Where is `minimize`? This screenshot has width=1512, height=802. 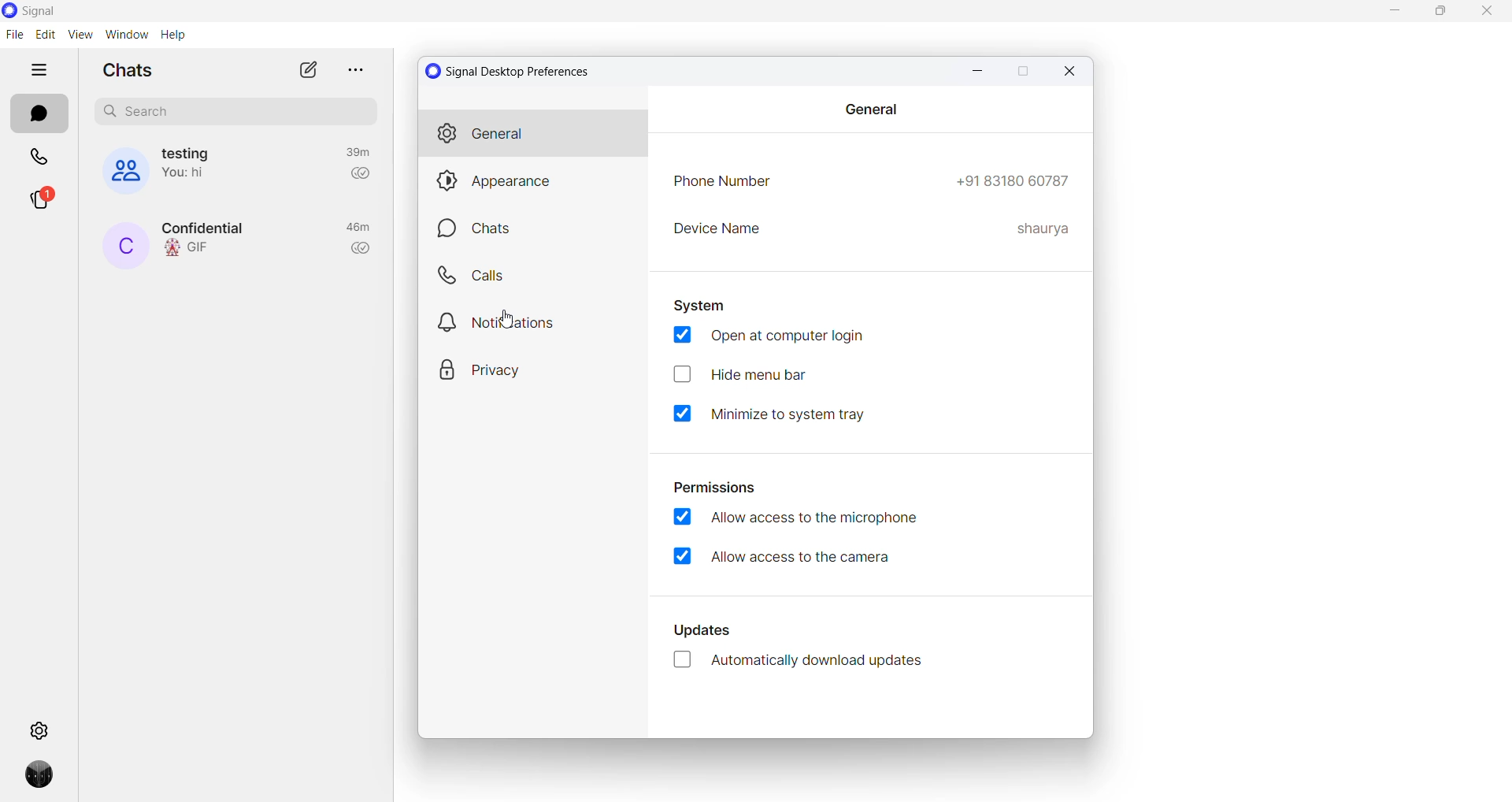
minimize is located at coordinates (980, 71).